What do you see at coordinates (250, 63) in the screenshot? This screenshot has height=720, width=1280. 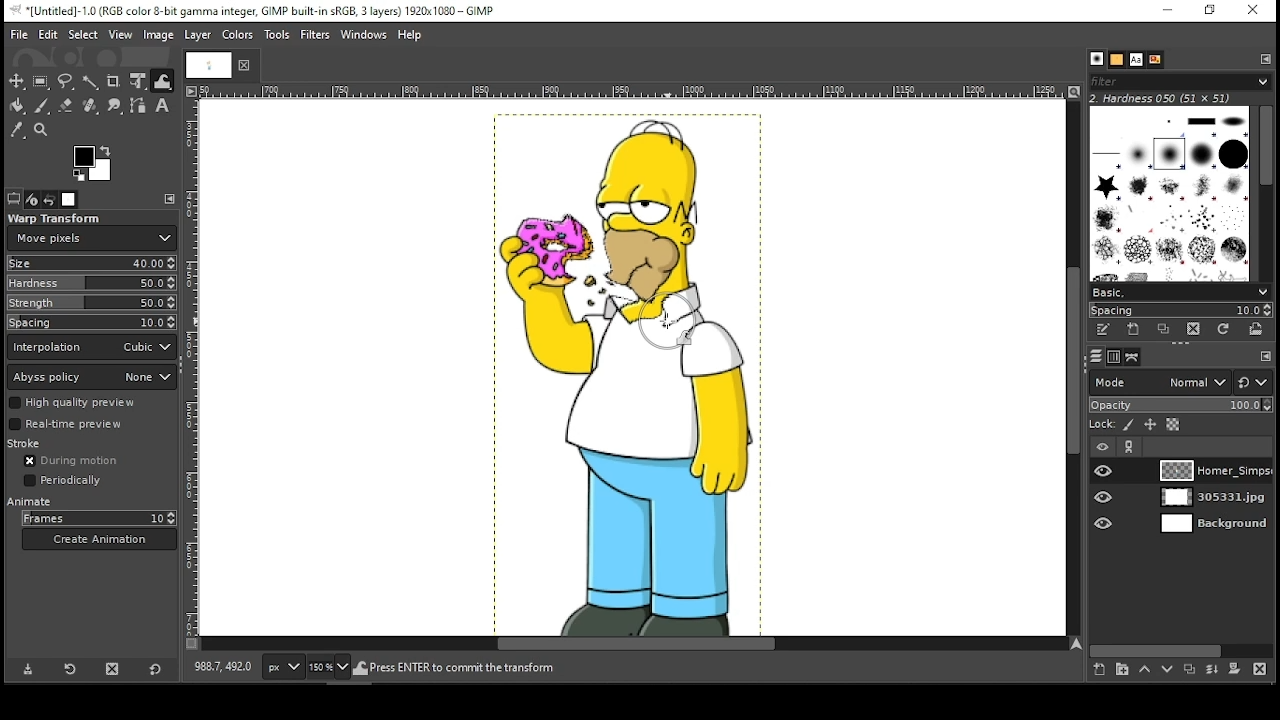 I see `close` at bounding box center [250, 63].